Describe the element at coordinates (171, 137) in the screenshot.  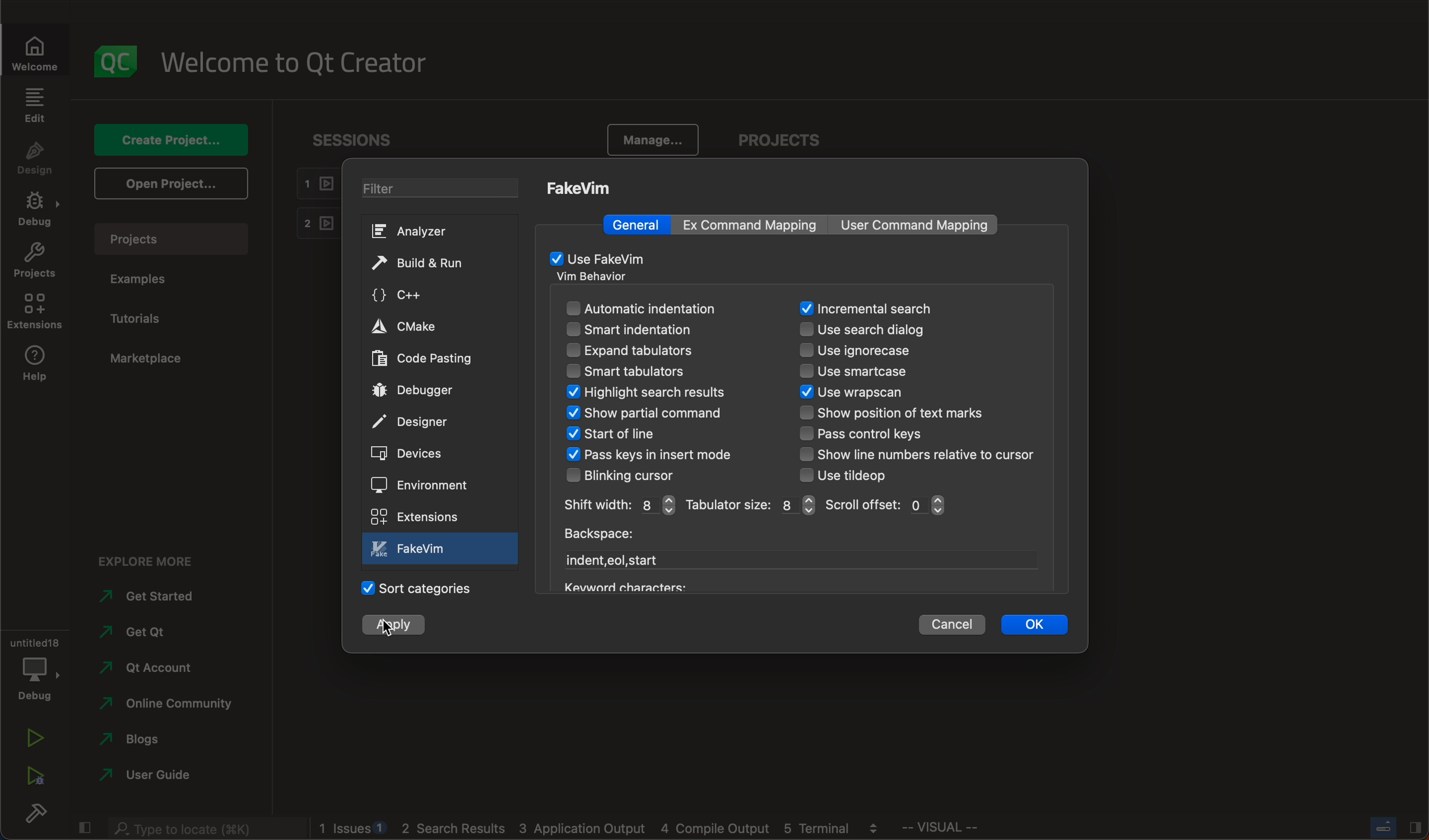
I see `create` at that location.